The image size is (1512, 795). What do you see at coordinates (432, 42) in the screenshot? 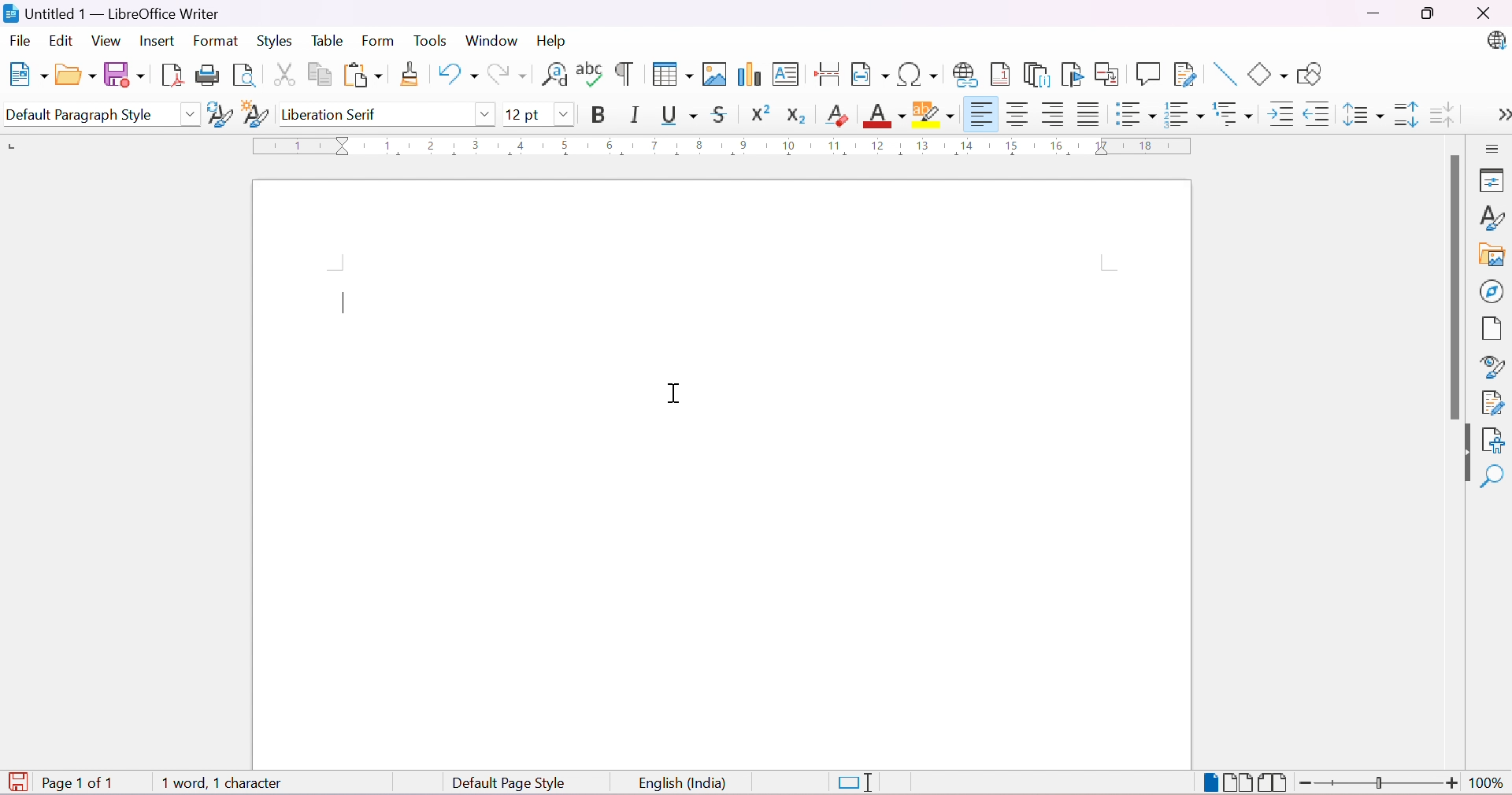
I see `Tools` at bounding box center [432, 42].